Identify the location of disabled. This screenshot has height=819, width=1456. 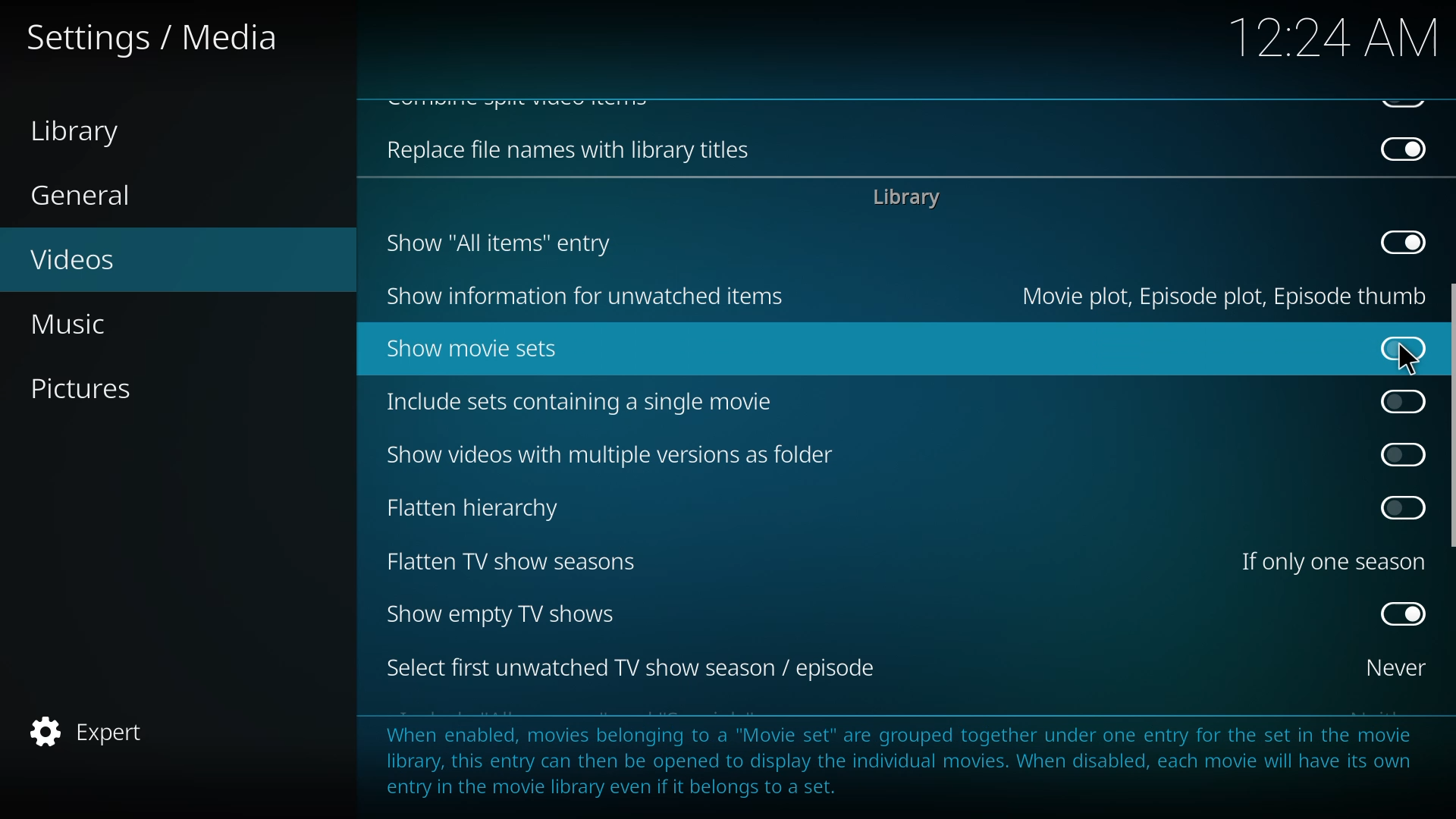
(1404, 241).